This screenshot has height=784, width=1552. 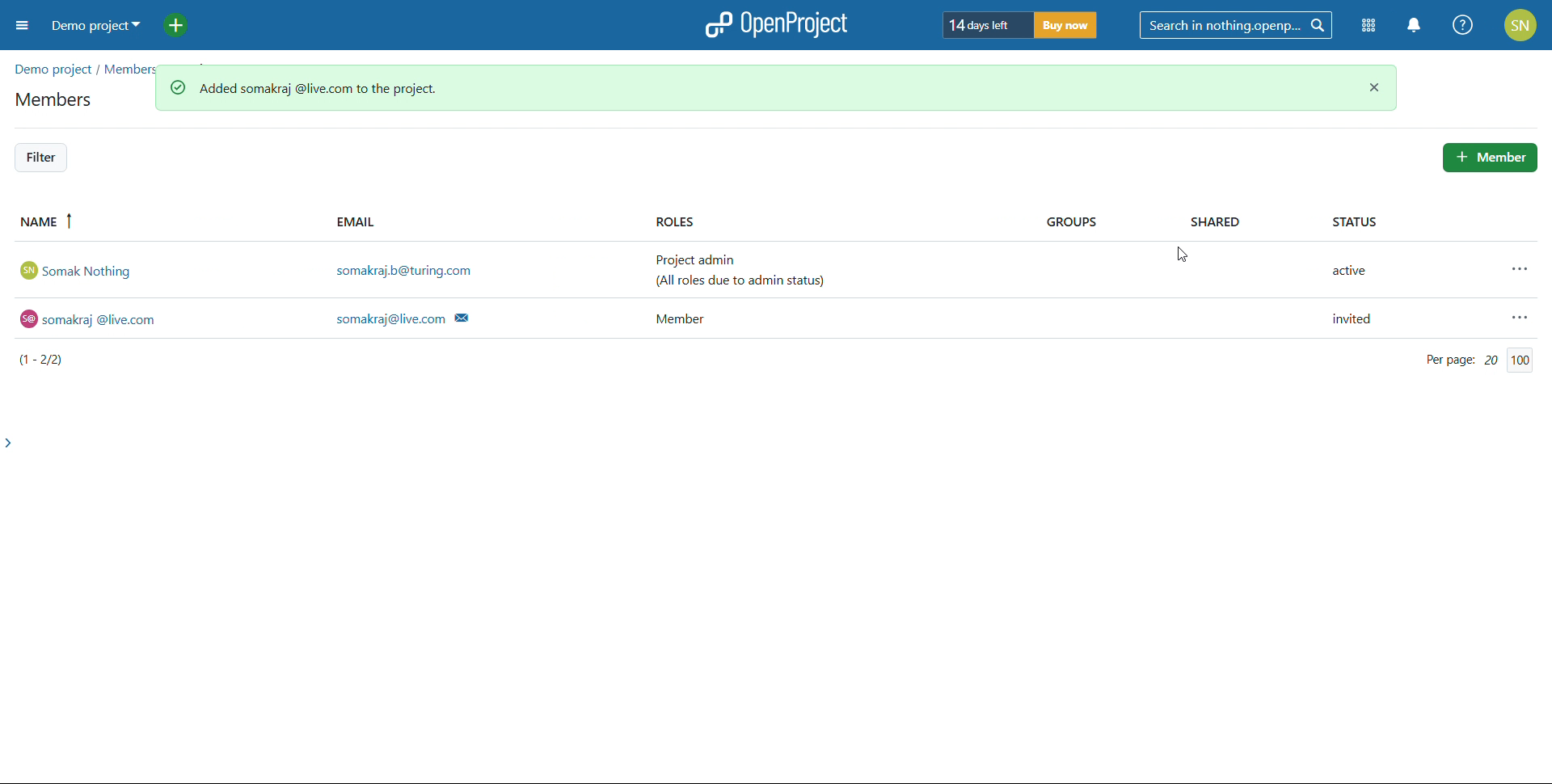 I want to click on add member, so click(x=1492, y=158).